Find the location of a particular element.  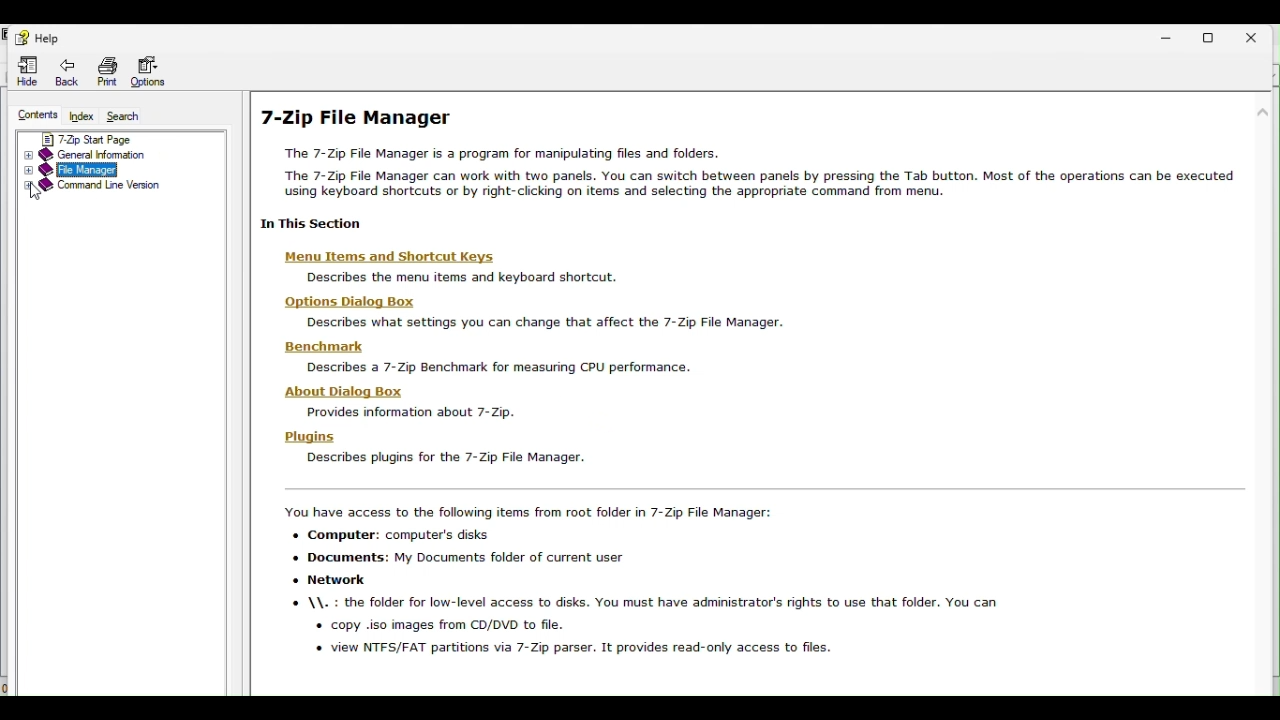

Restore is located at coordinates (1211, 37).